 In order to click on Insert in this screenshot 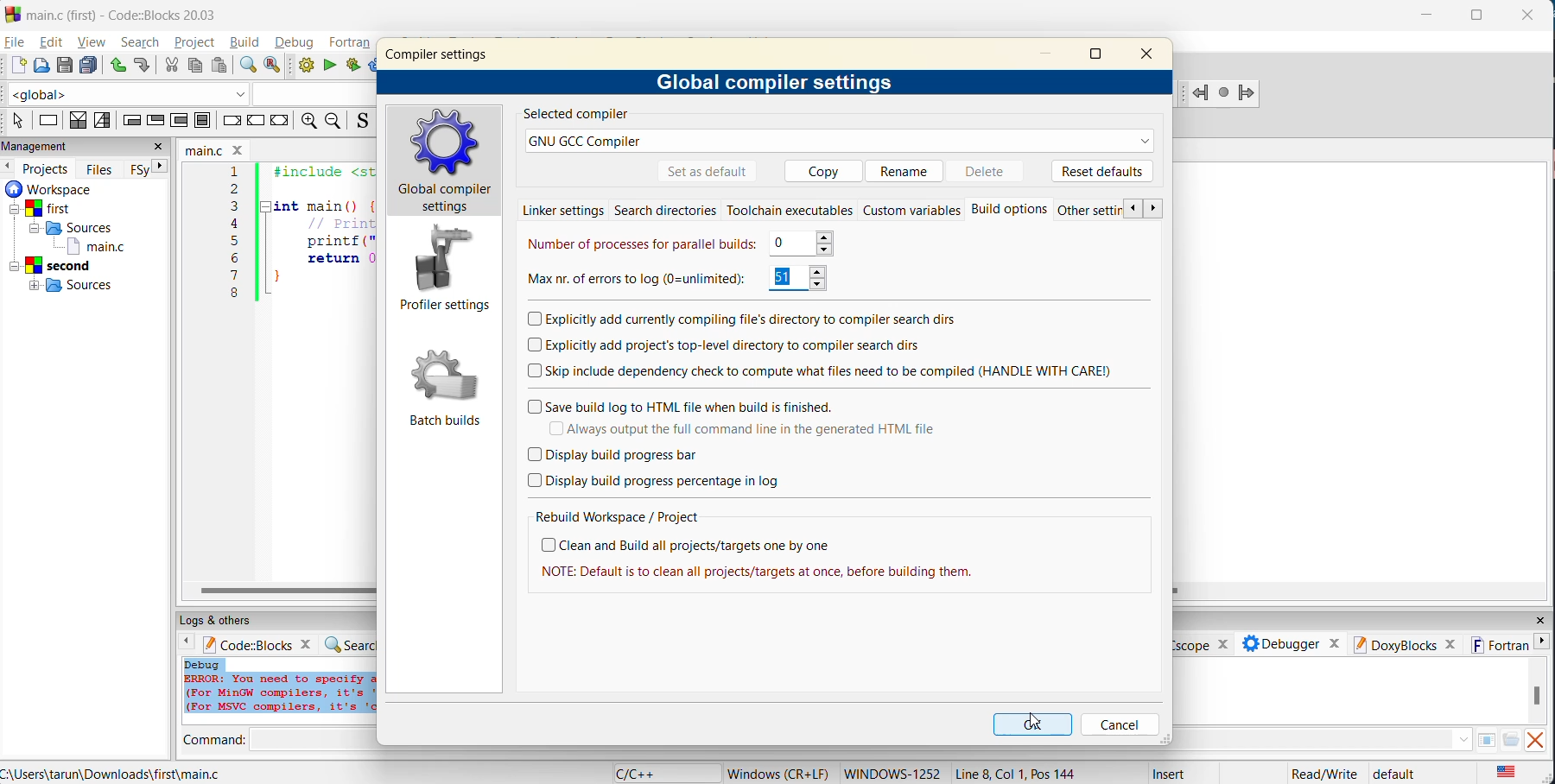, I will do `click(1171, 772)`.